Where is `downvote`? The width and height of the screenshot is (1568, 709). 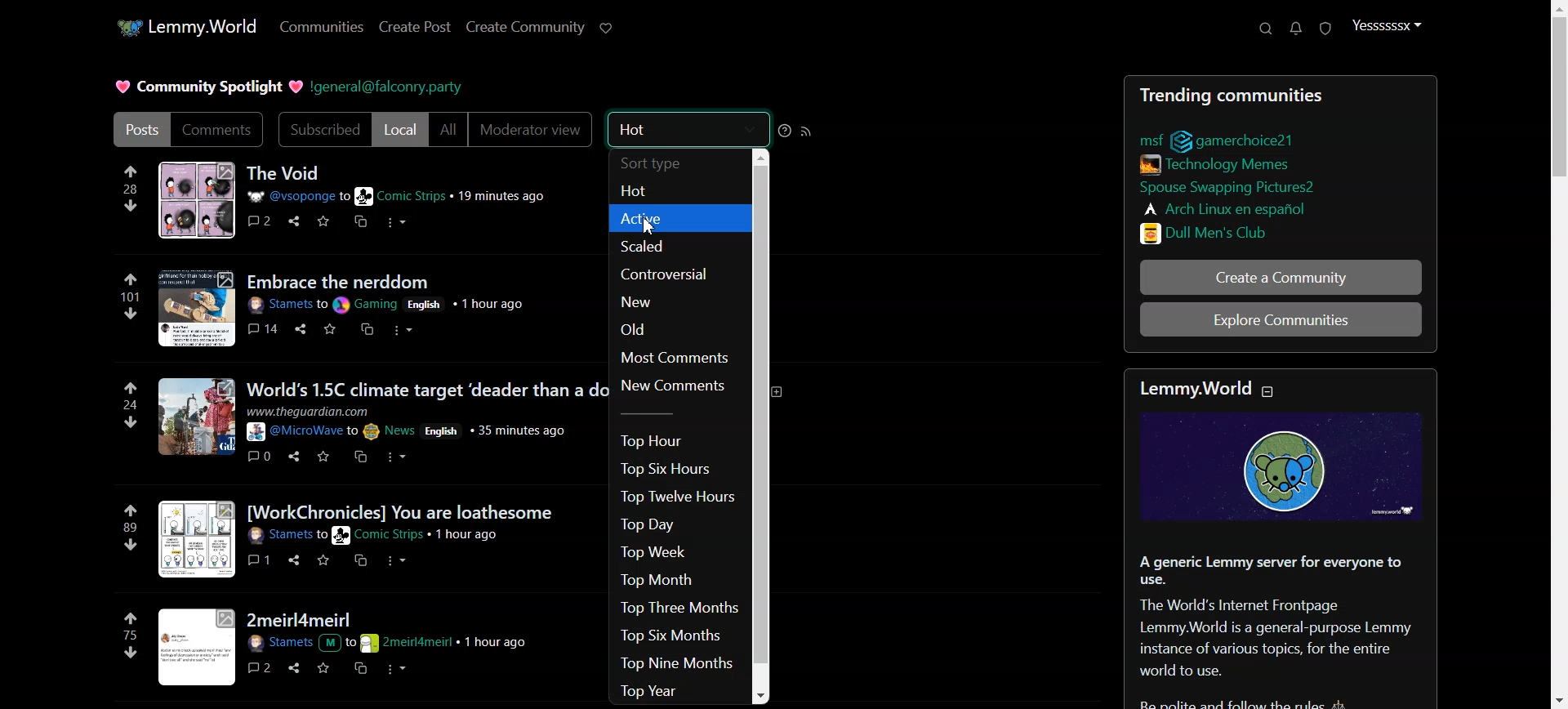
downvote is located at coordinates (131, 421).